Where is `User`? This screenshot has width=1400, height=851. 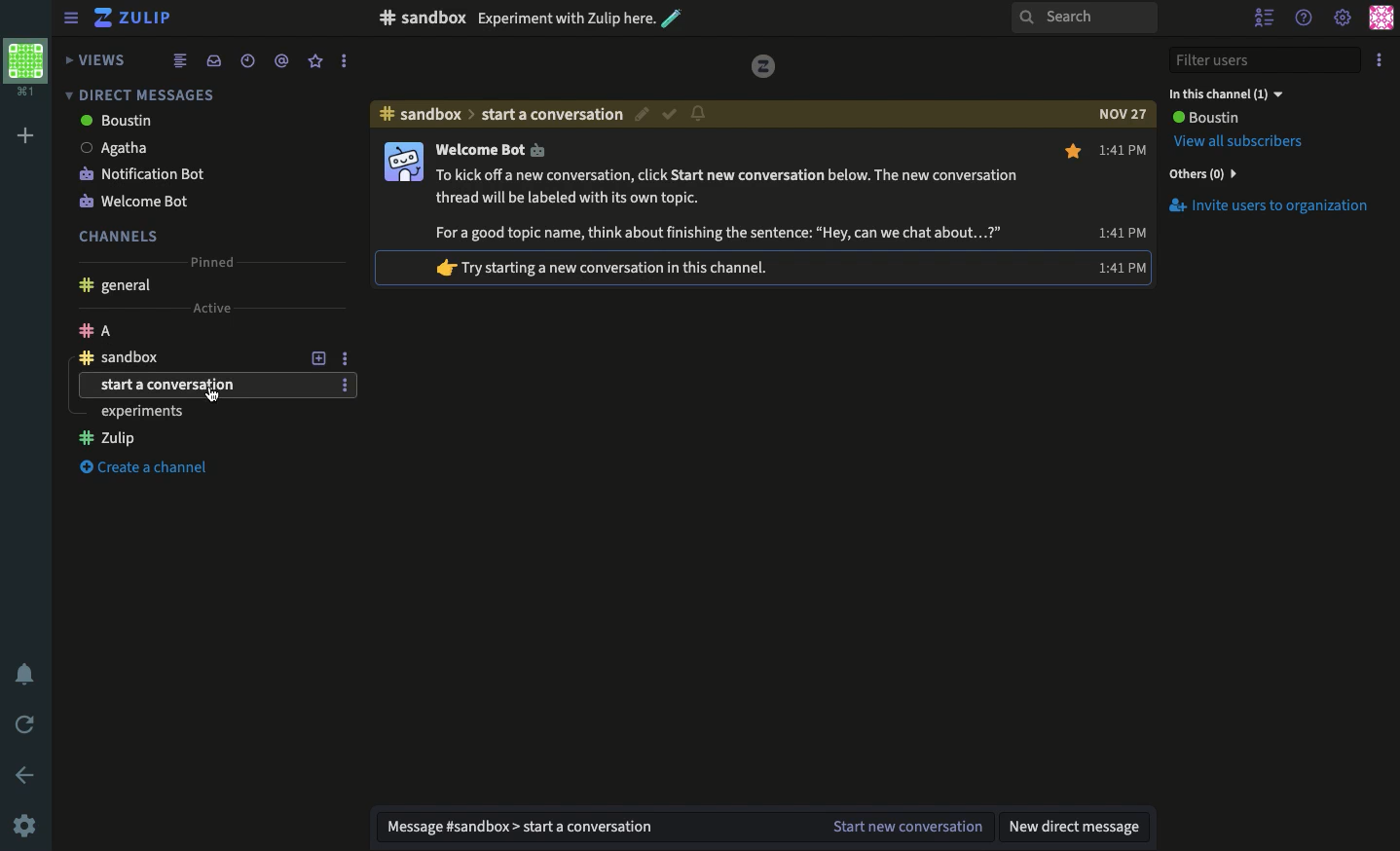 User is located at coordinates (1204, 118).